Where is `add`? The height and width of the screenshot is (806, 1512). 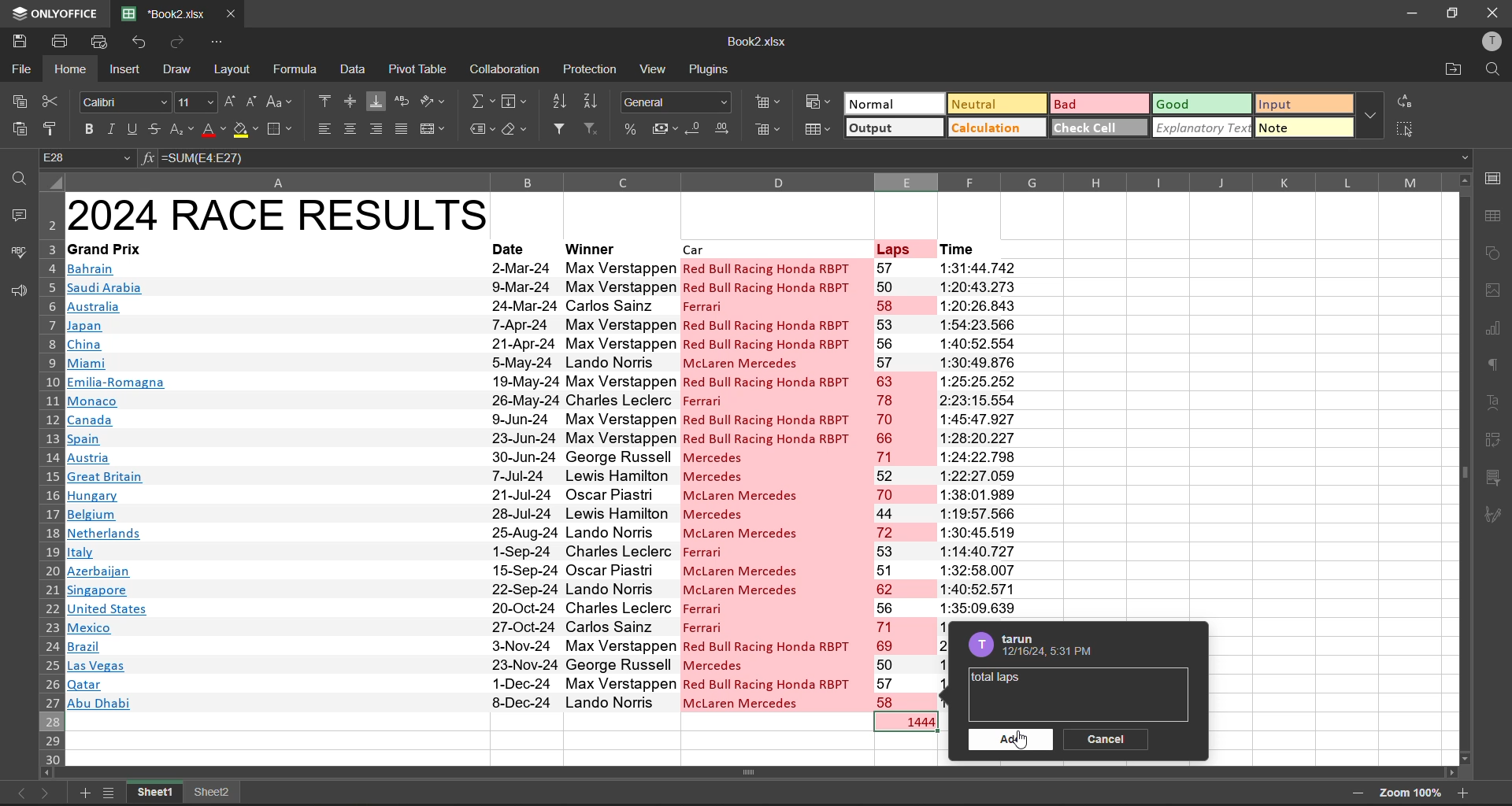
add is located at coordinates (1011, 741).